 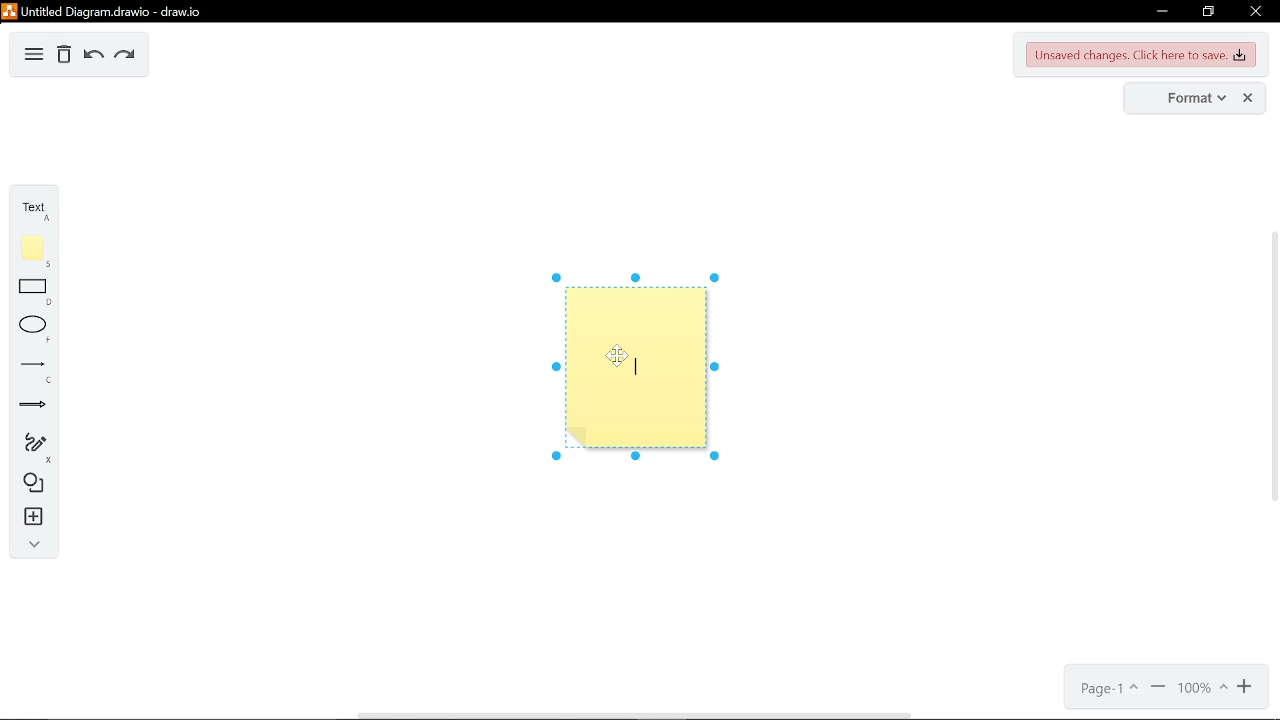 What do you see at coordinates (34, 294) in the screenshot?
I see `rectangle` at bounding box center [34, 294].